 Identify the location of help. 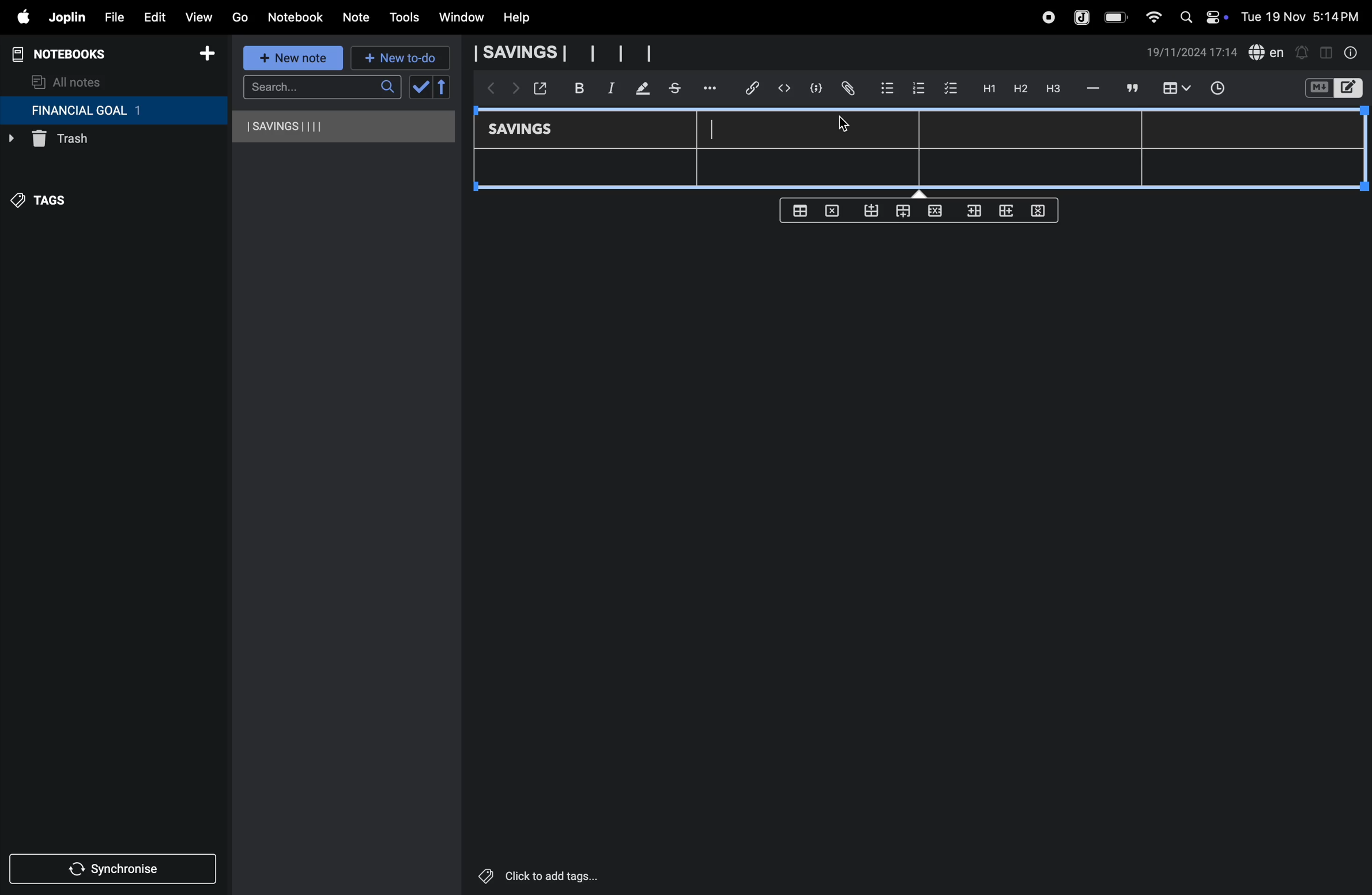
(525, 18).